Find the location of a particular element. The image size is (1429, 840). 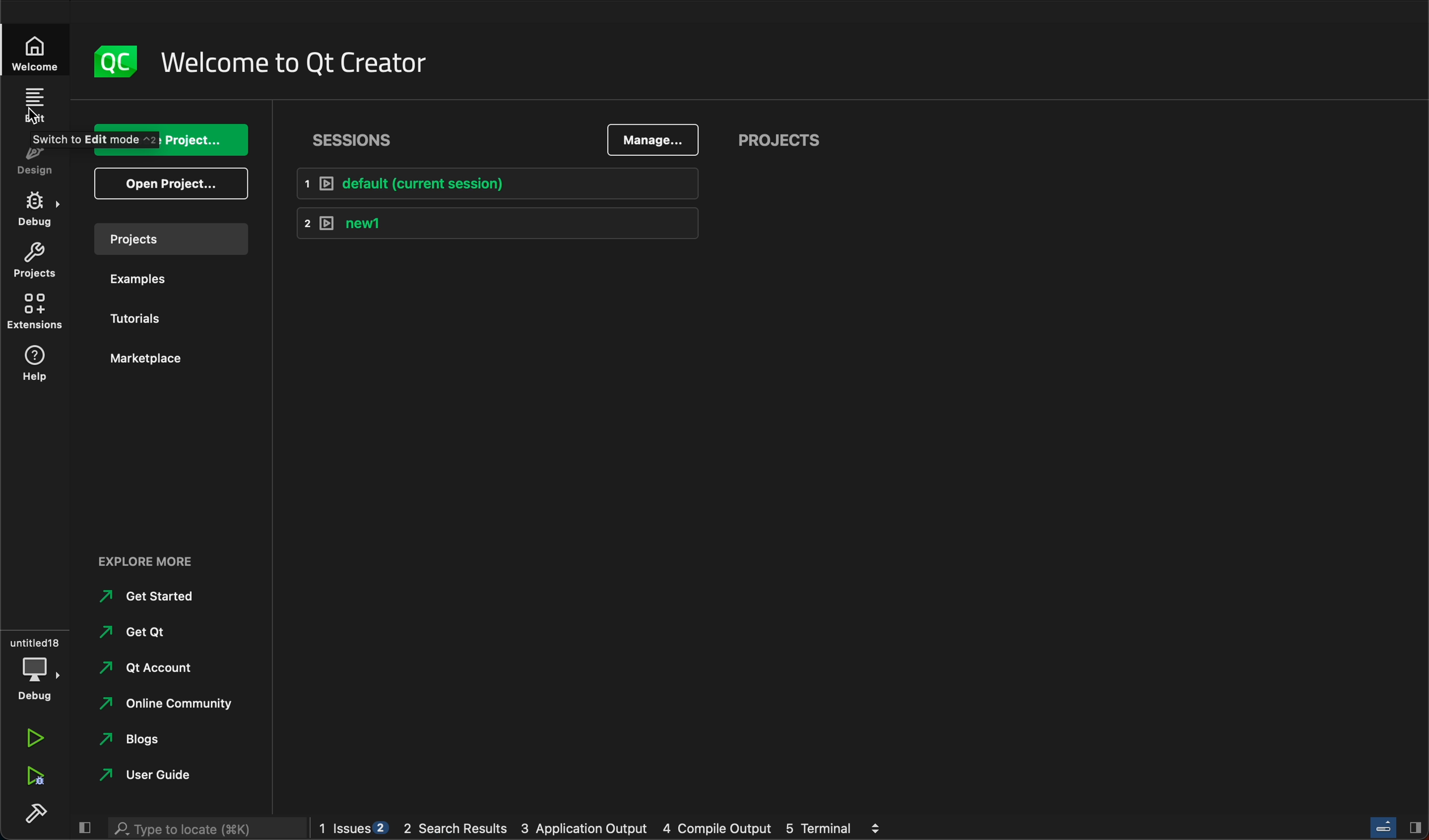

default is located at coordinates (496, 181).